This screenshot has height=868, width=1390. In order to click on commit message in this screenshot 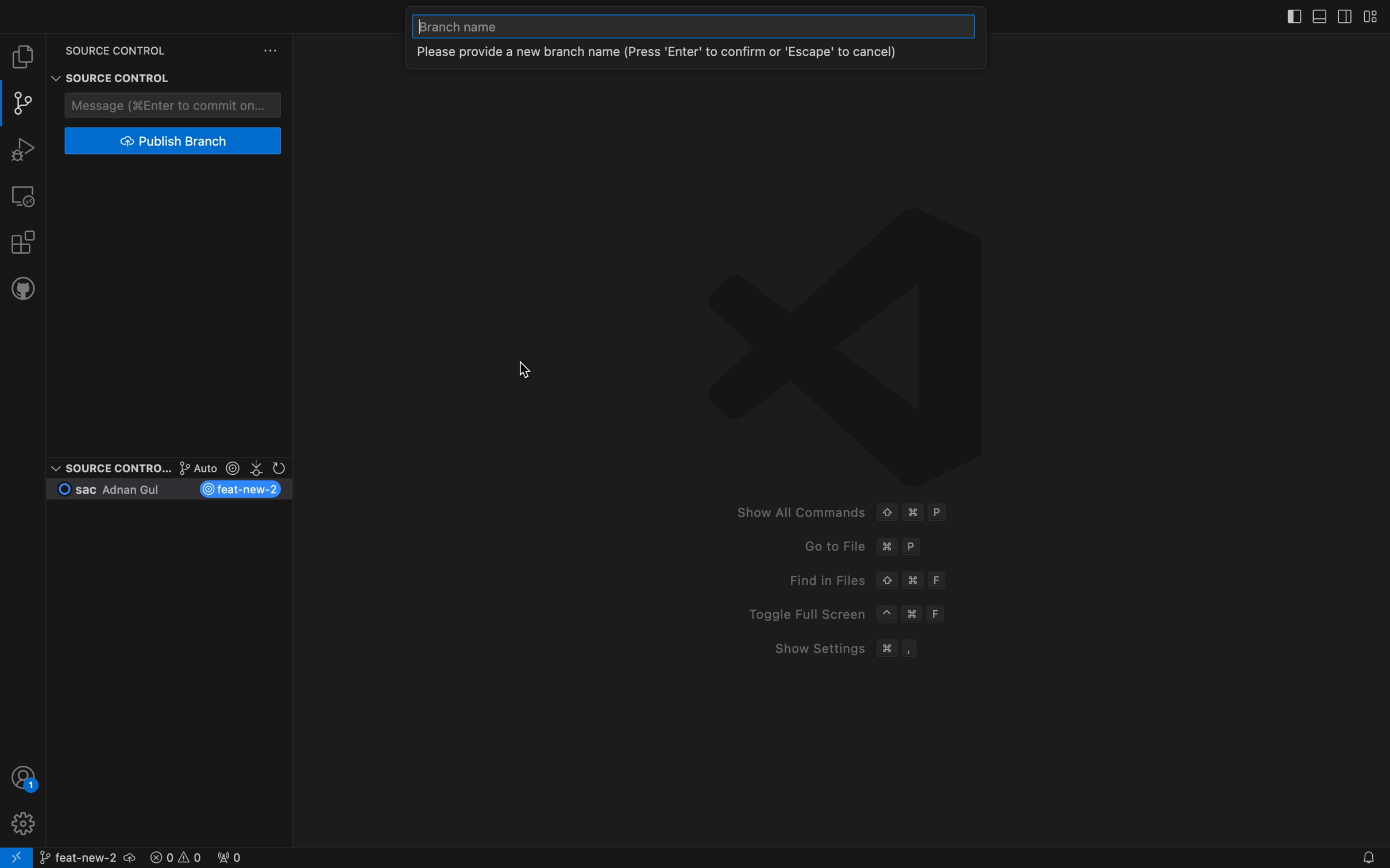, I will do `click(175, 105)`.